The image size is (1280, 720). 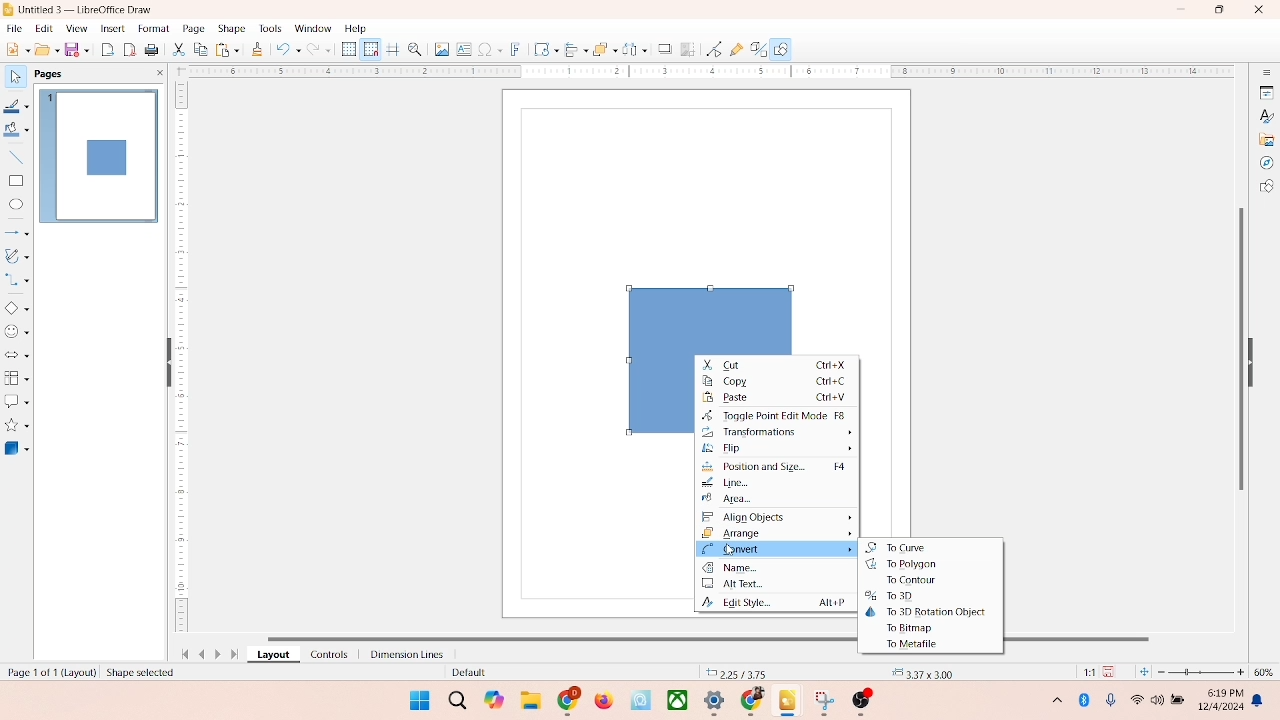 I want to click on horizontal scroll bar, so click(x=534, y=637).